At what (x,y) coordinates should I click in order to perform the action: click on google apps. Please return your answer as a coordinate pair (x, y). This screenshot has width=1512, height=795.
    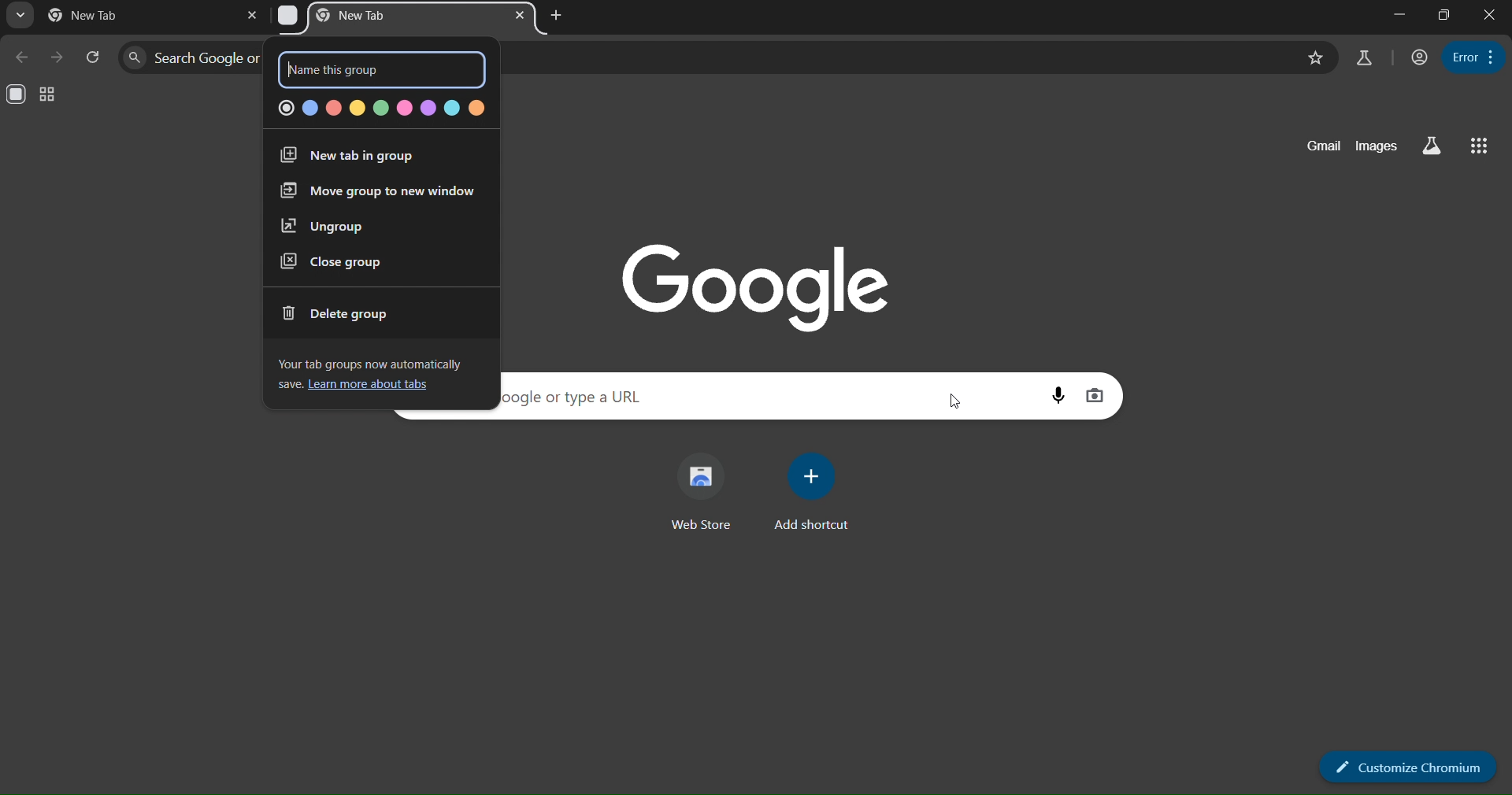
    Looking at the image, I should click on (1479, 144).